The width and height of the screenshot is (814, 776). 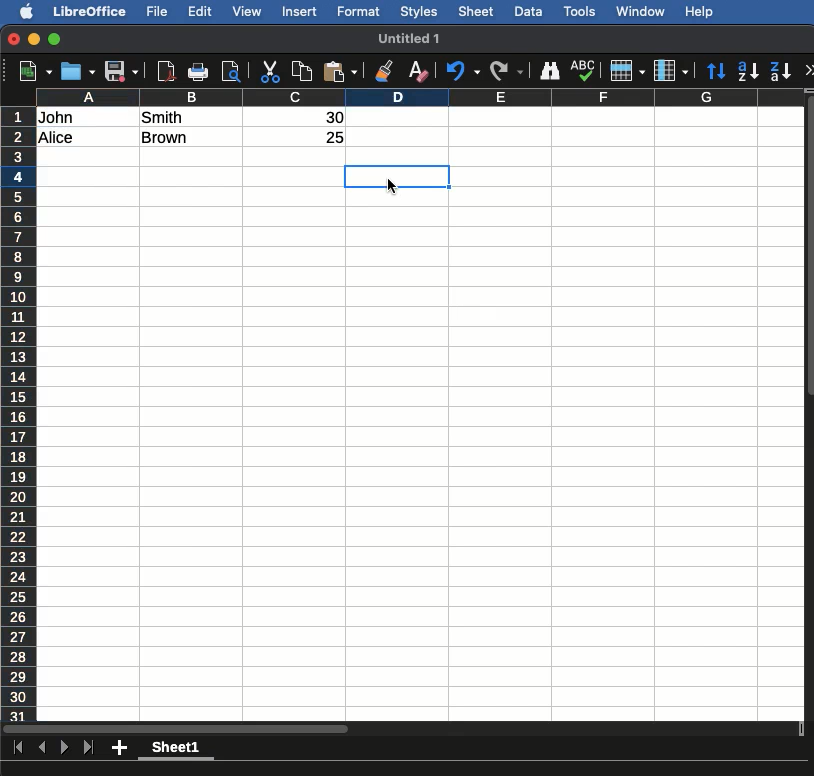 What do you see at coordinates (510, 68) in the screenshot?
I see `Redo` at bounding box center [510, 68].